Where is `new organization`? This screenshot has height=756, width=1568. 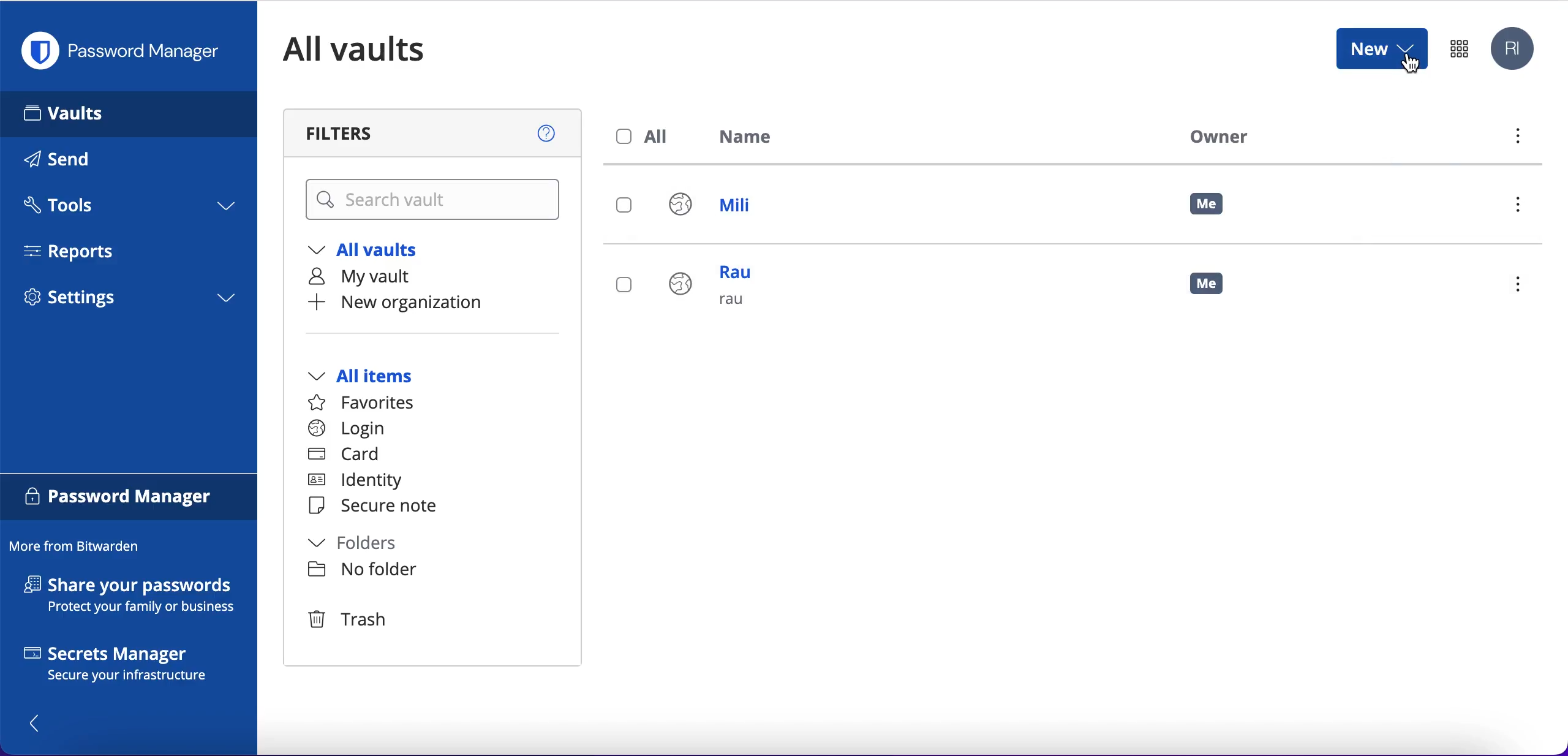 new organization is located at coordinates (421, 303).